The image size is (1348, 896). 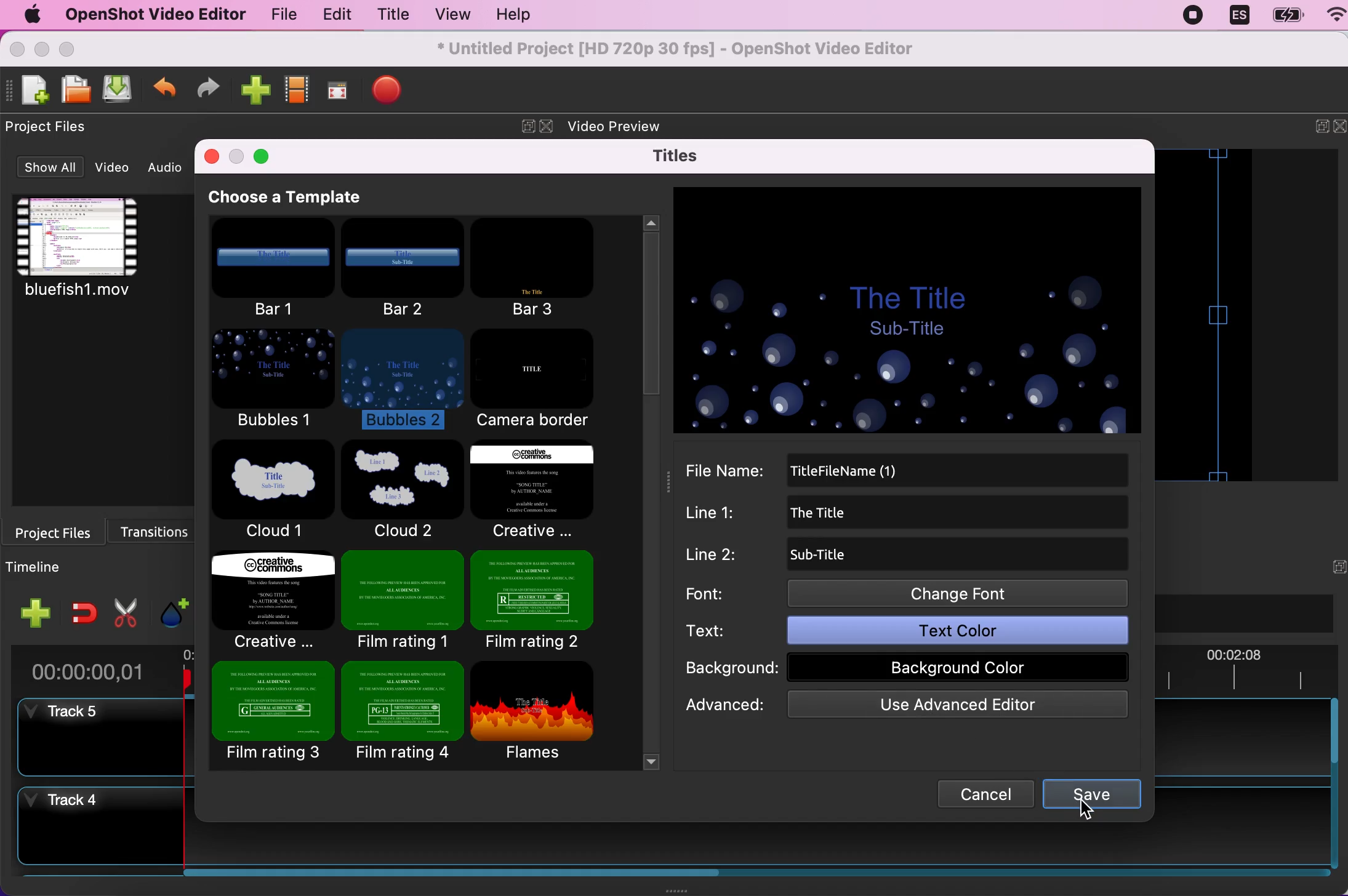 I want to click on close, so click(x=212, y=159).